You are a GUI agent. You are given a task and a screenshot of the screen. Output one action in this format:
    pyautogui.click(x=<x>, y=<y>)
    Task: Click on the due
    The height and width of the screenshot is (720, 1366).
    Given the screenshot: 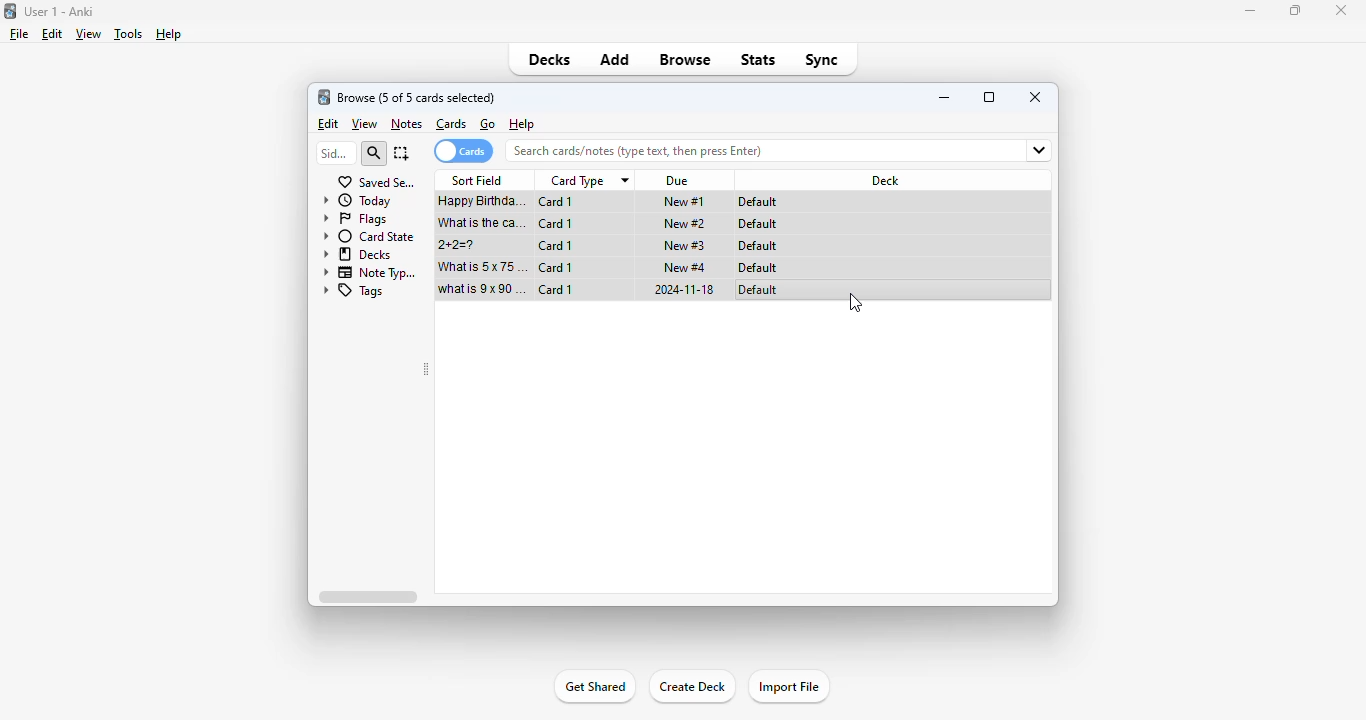 What is the action you would take?
    pyautogui.click(x=679, y=181)
    